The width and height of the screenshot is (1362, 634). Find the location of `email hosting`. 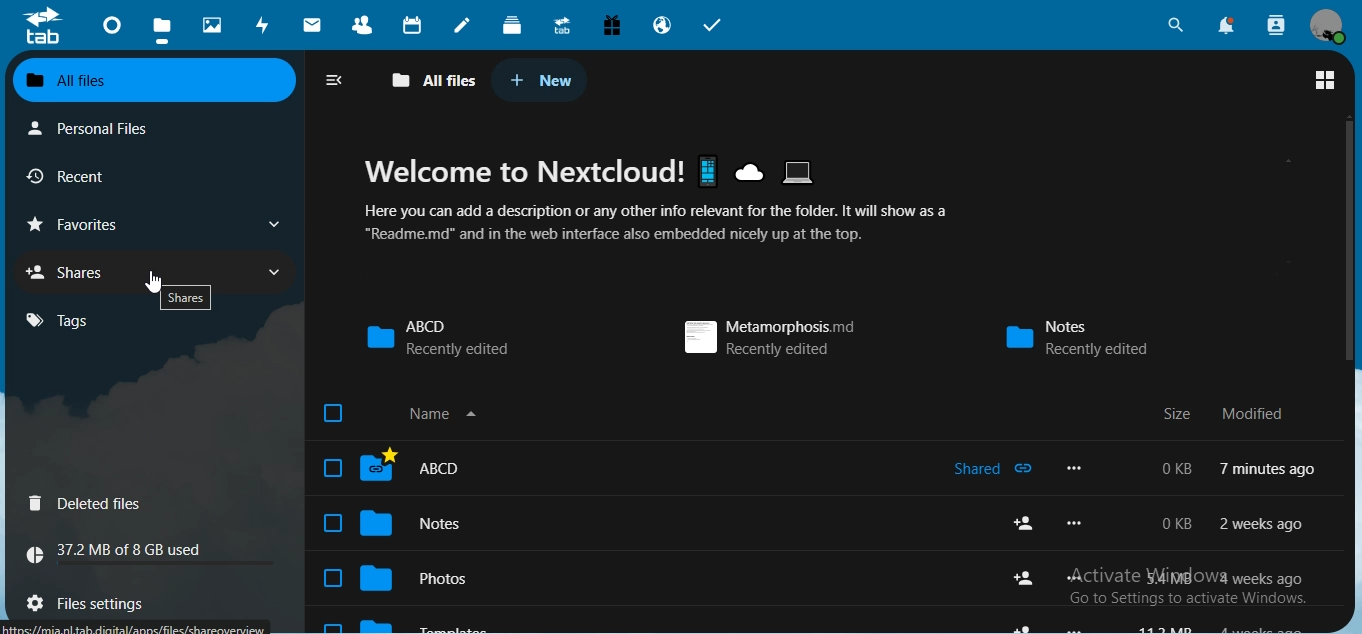

email hosting is located at coordinates (664, 27).